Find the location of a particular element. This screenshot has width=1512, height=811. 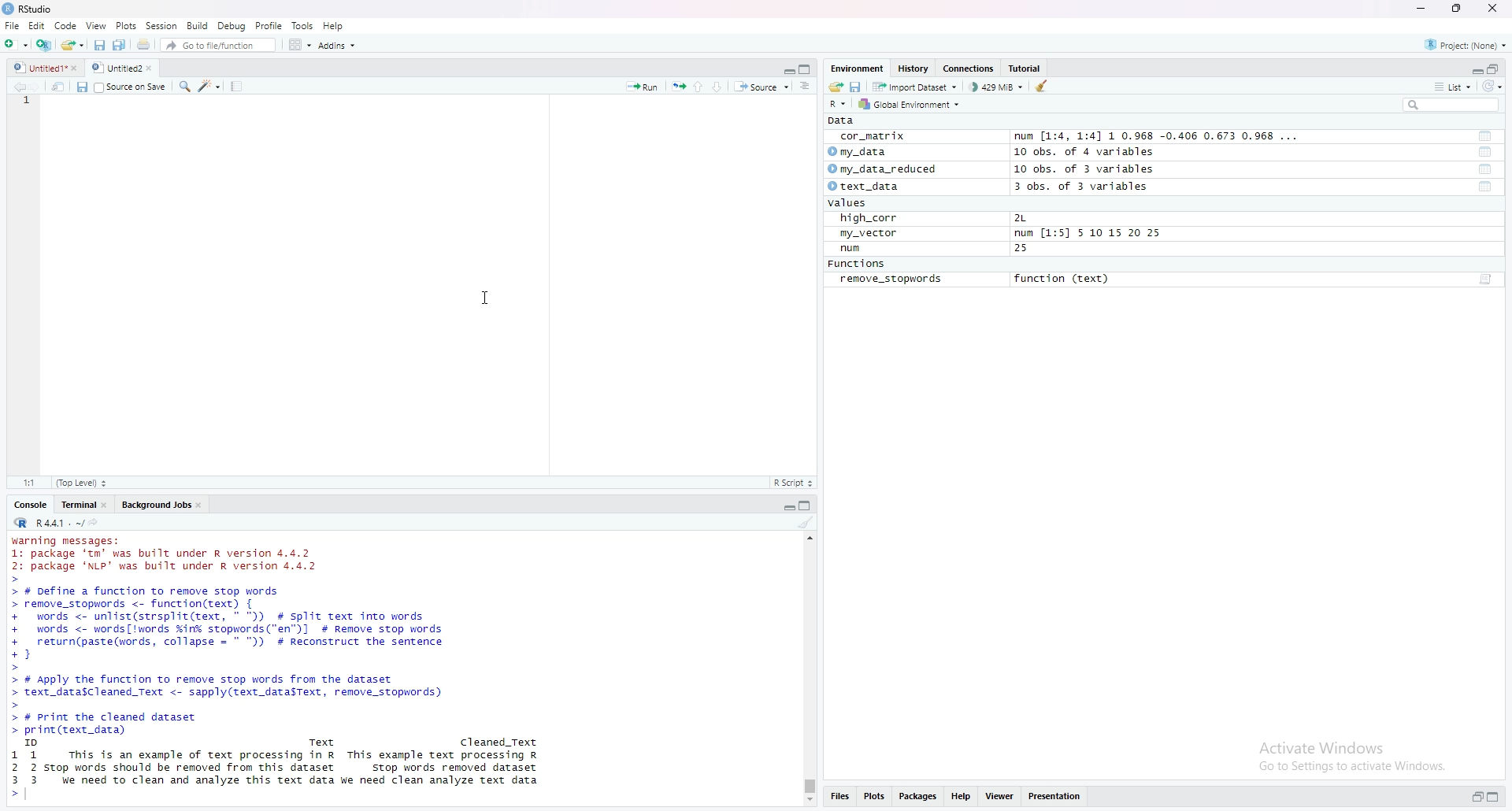

10 obs. of 3 variables is located at coordinates (1082, 170).